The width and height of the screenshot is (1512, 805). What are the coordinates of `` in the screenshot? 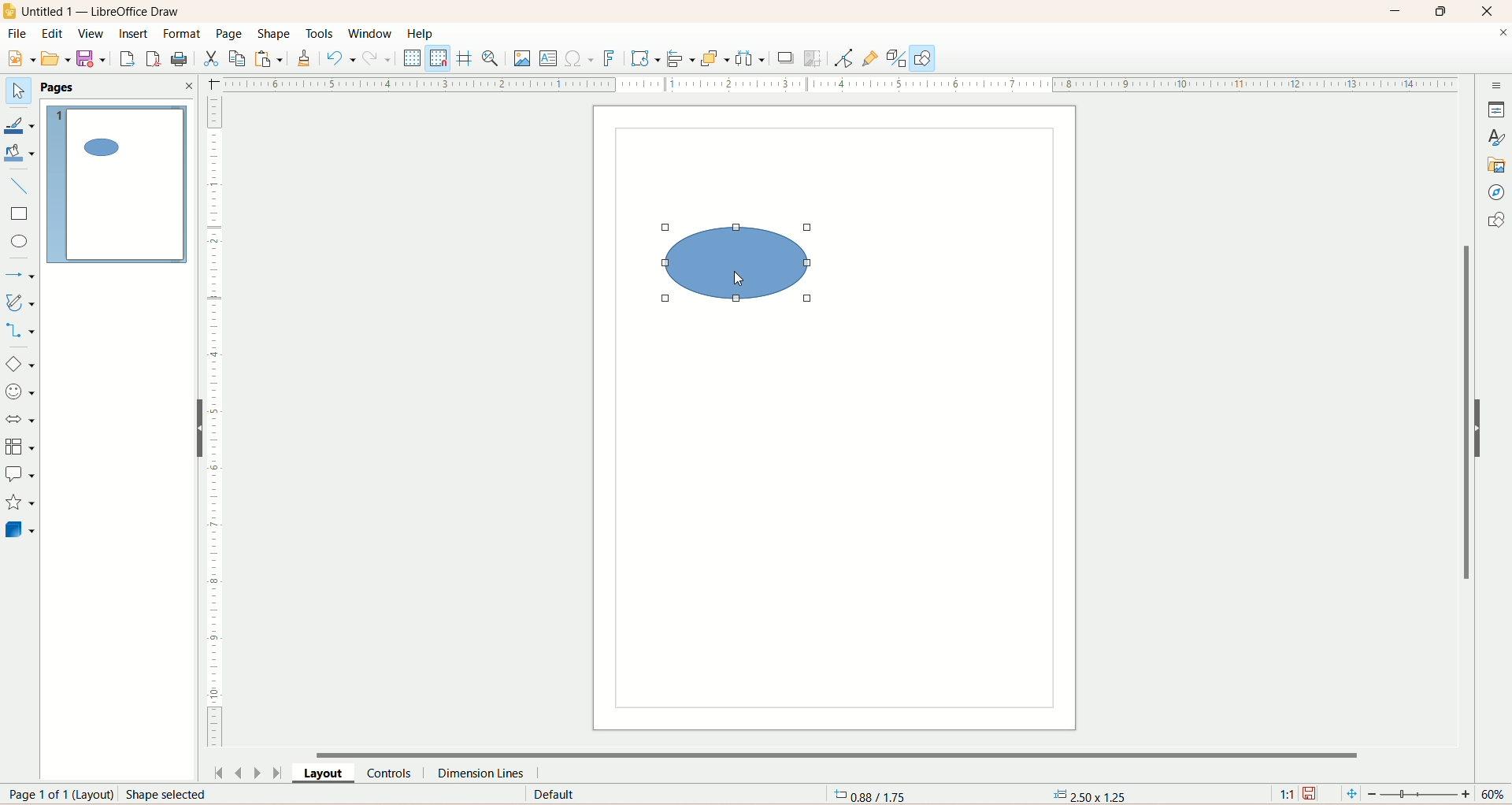 It's located at (522, 58).